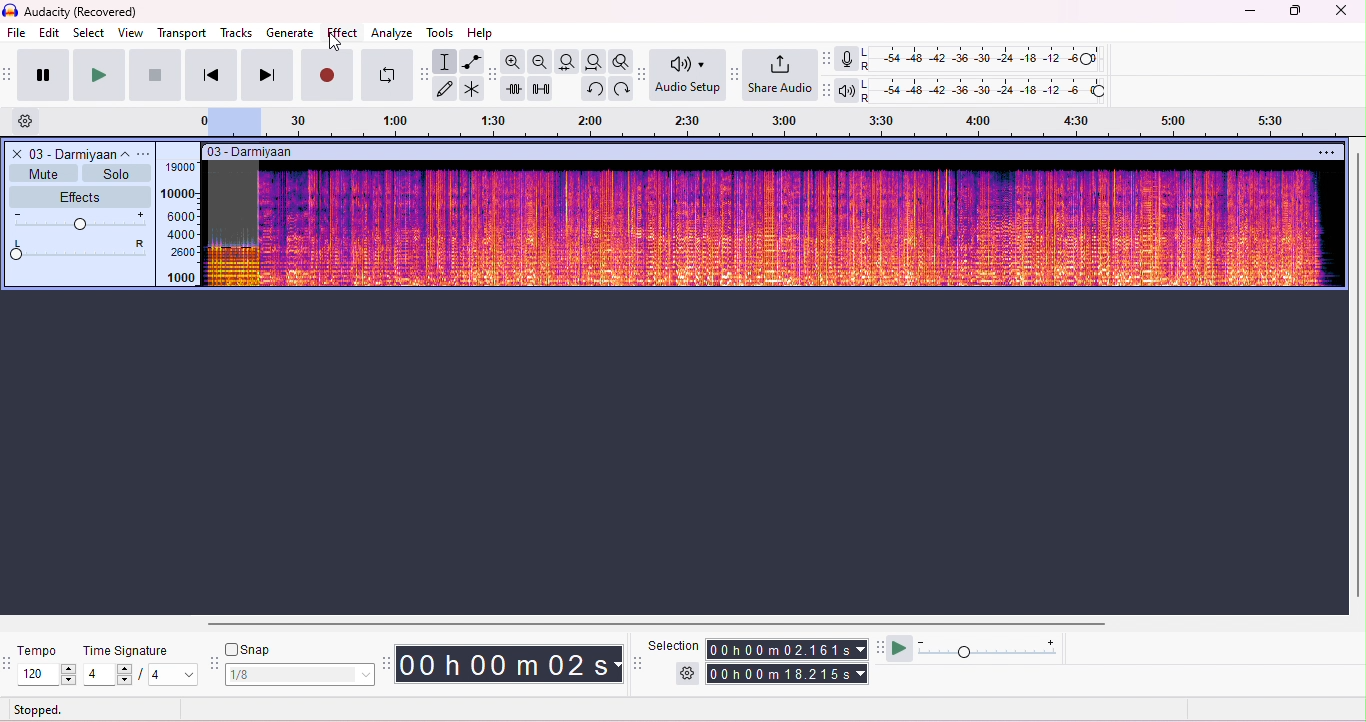 The height and width of the screenshot is (722, 1366). What do you see at coordinates (79, 251) in the screenshot?
I see `pan` at bounding box center [79, 251].